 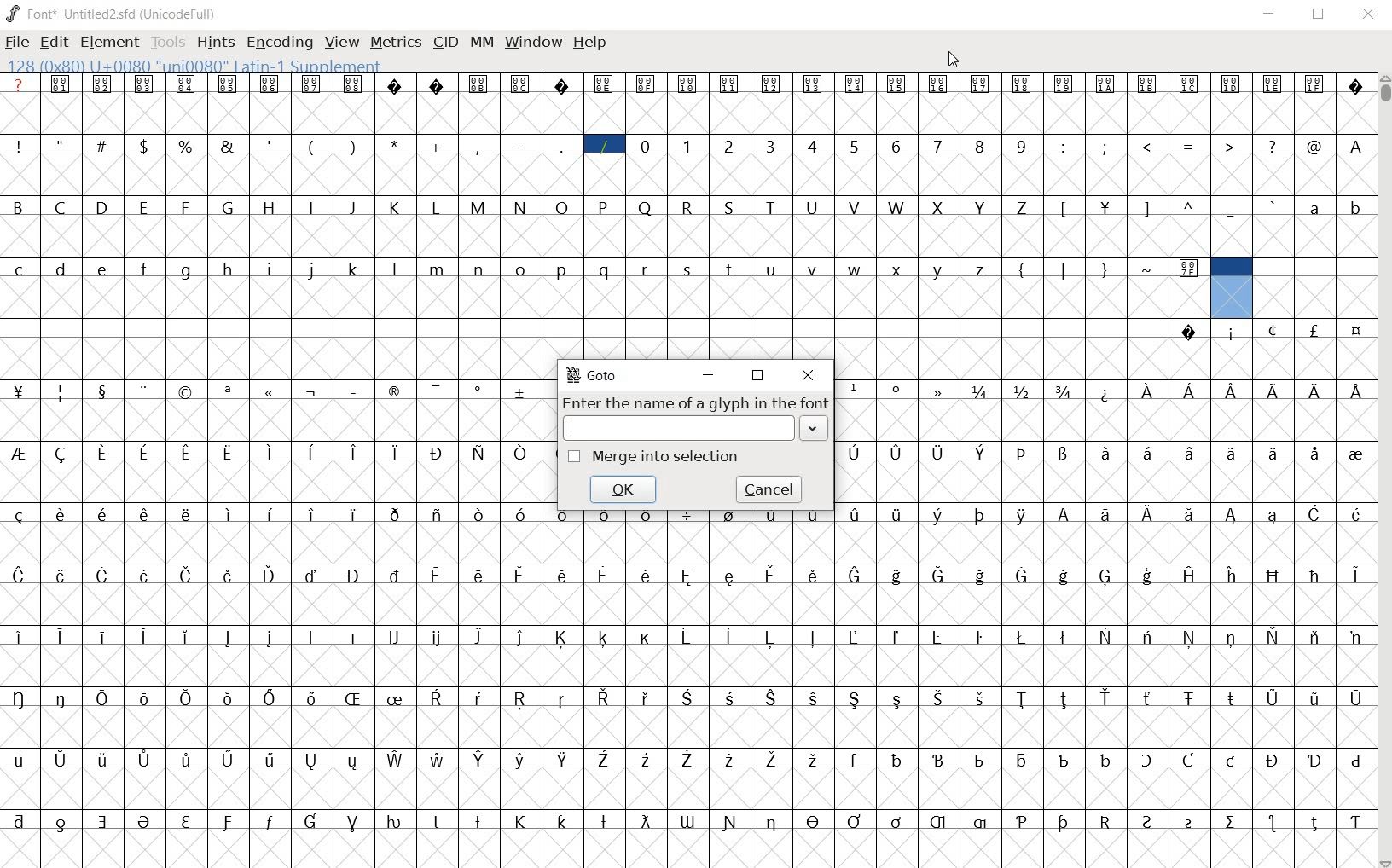 What do you see at coordinates (313, 451) in the screenshot?
I see `Symbol` at bounding box center [313, 451].